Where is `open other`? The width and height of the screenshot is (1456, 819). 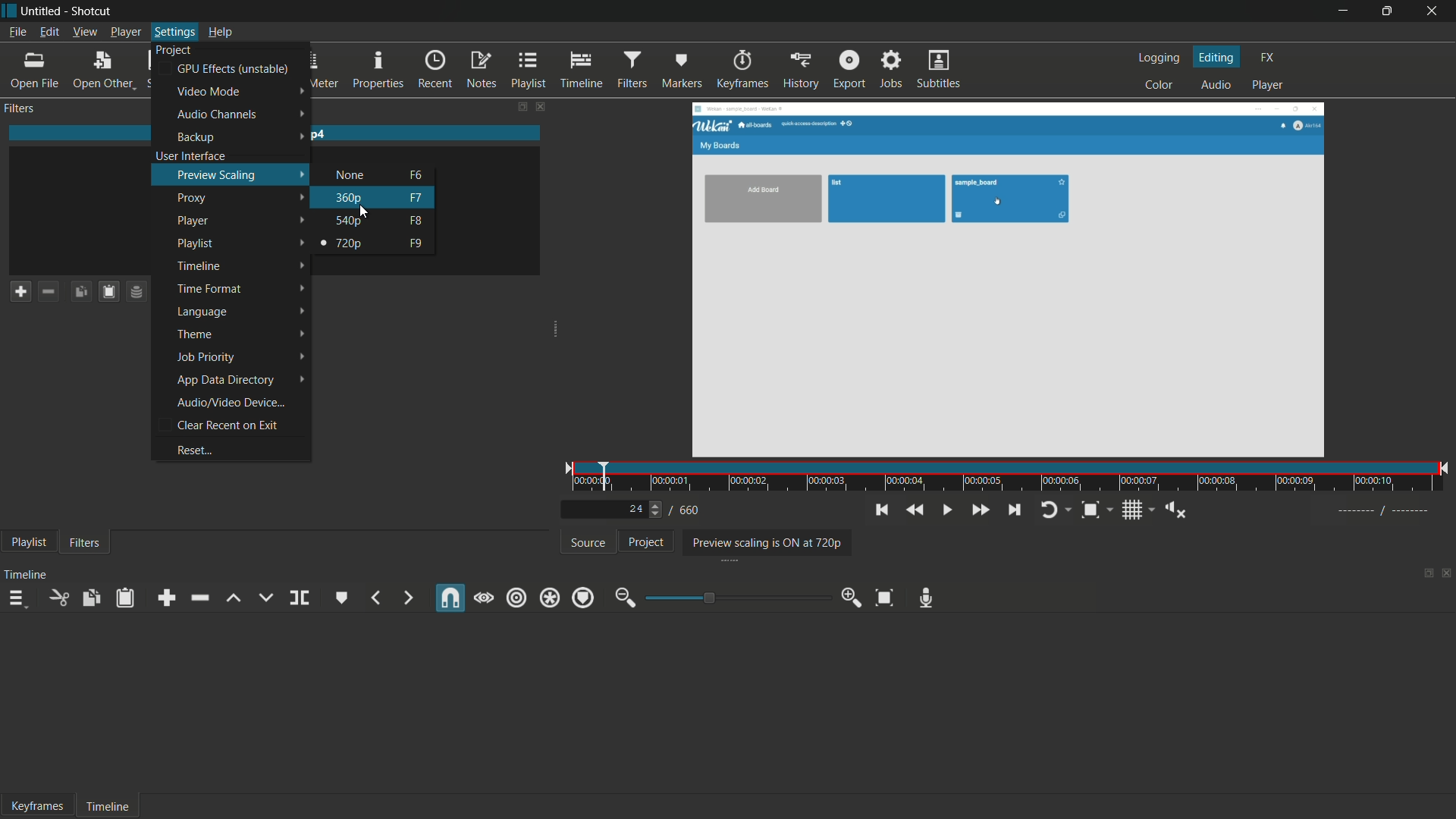
open other is located at coordinates (102, 69).